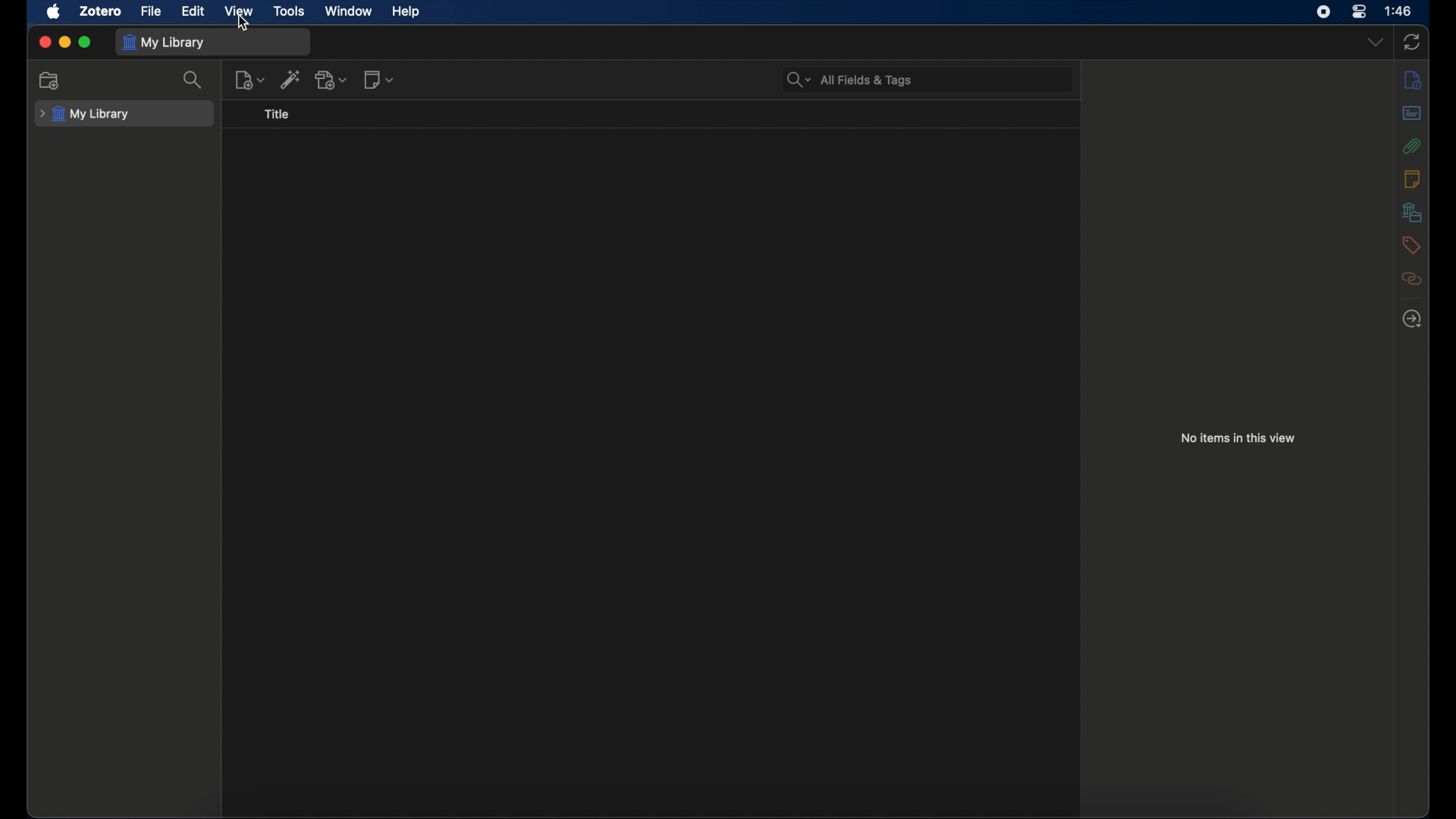 Image resolution: width=1456 pixels, height=819 pixels. Describe the element at coordinates (1409, 245) in the screenshot. I see `tags` at that location.